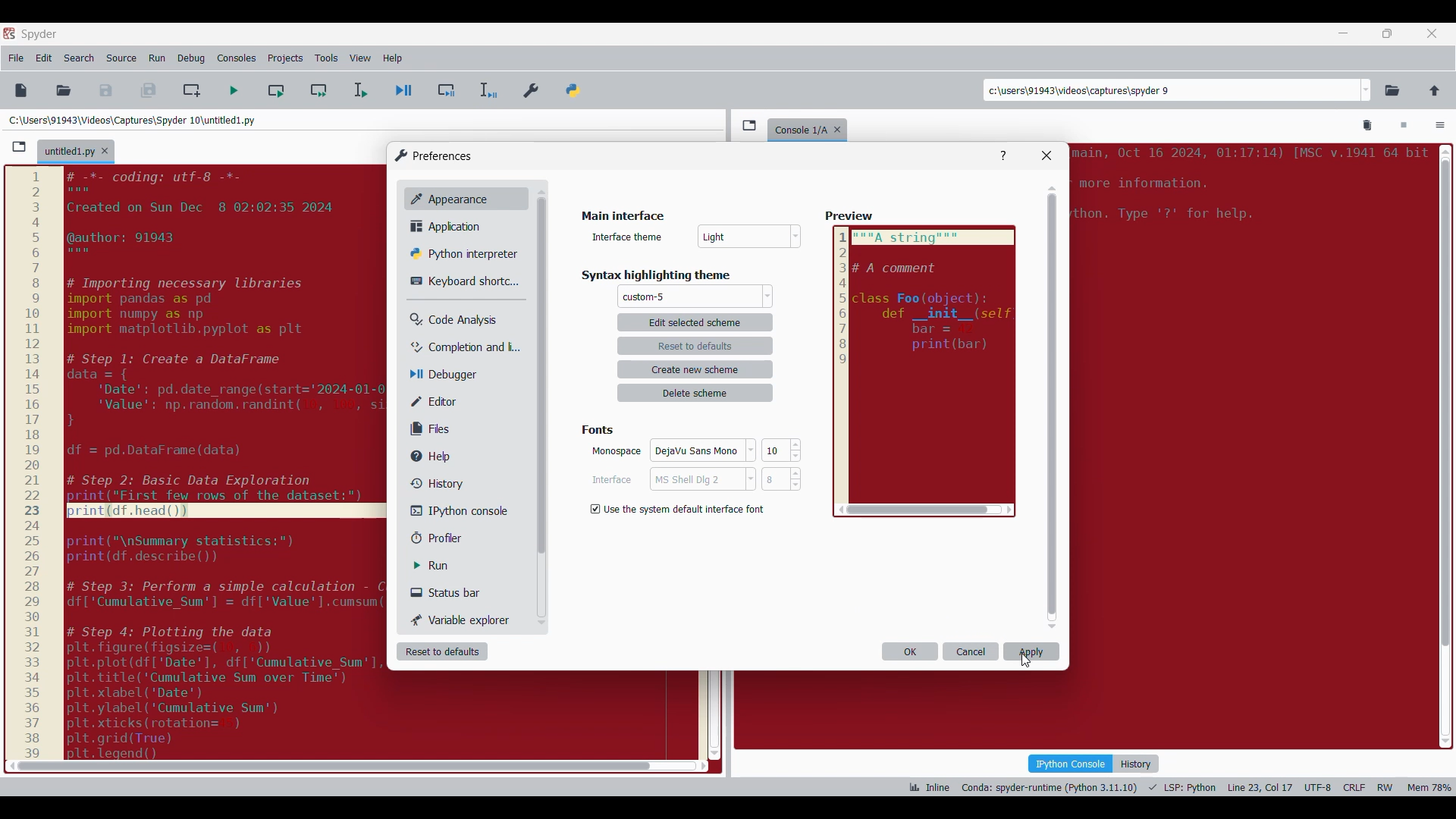 This screenshot has width=1456, height=819. Describe the element at coordinates (697, 369) in the screenshot. I see `create new scheme` at that location.